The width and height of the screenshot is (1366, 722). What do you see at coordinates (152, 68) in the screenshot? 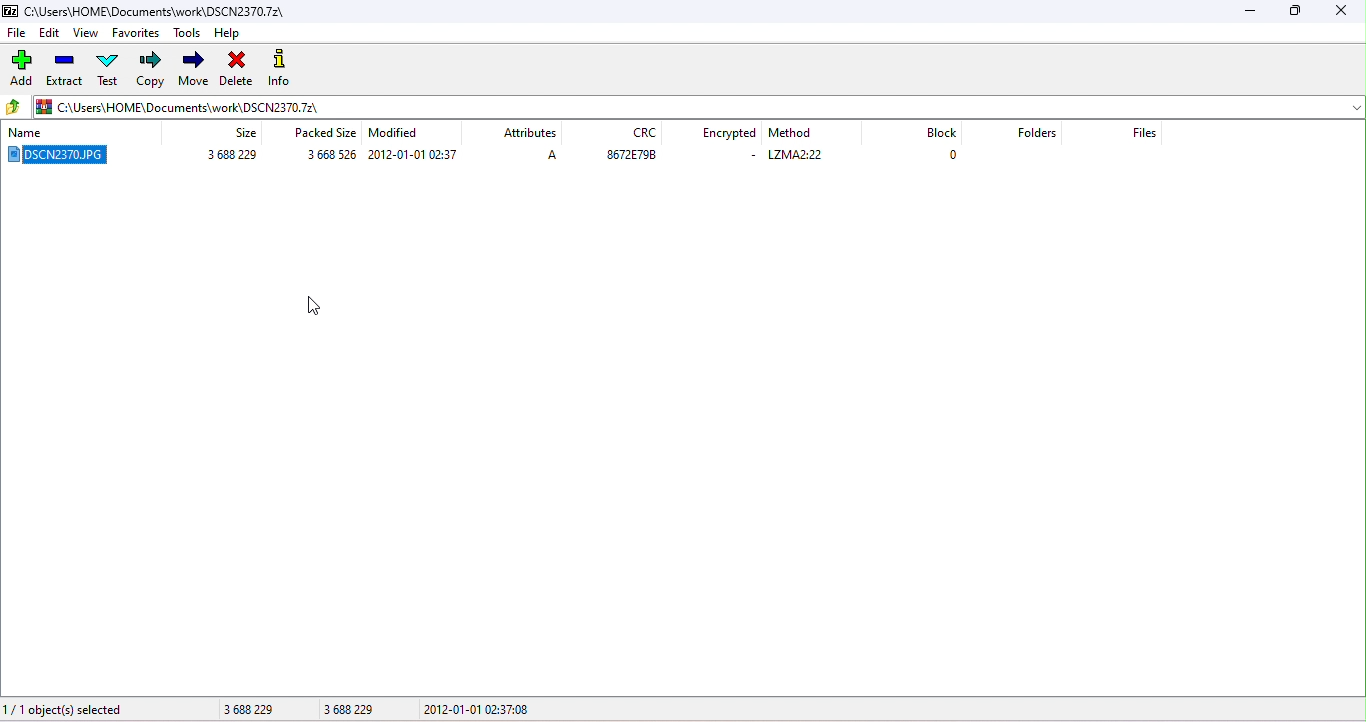
I see `copy` at bounding box center [152, 68].